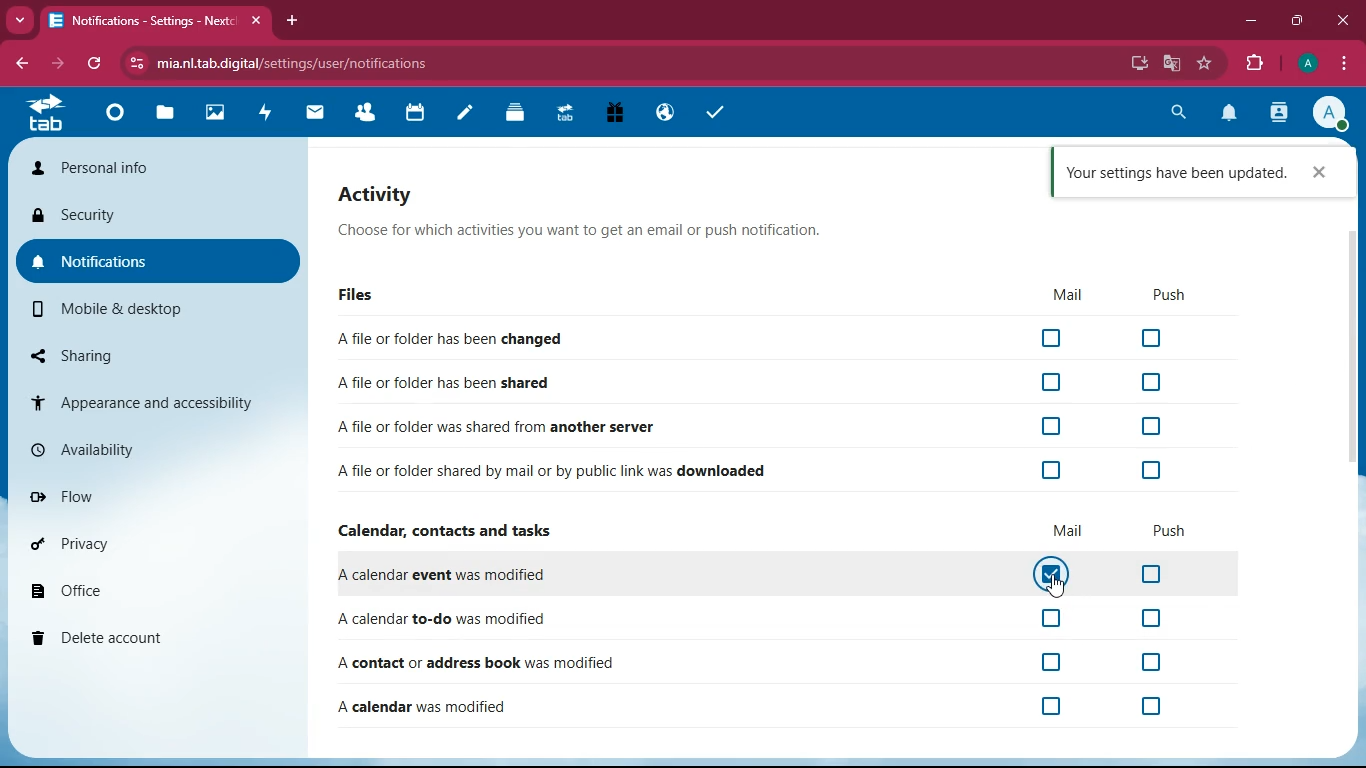 Image resolution: width=1366 pixels, height=768 pixels. I want to click on Notifications- Setting - Next, so click(145, 22).